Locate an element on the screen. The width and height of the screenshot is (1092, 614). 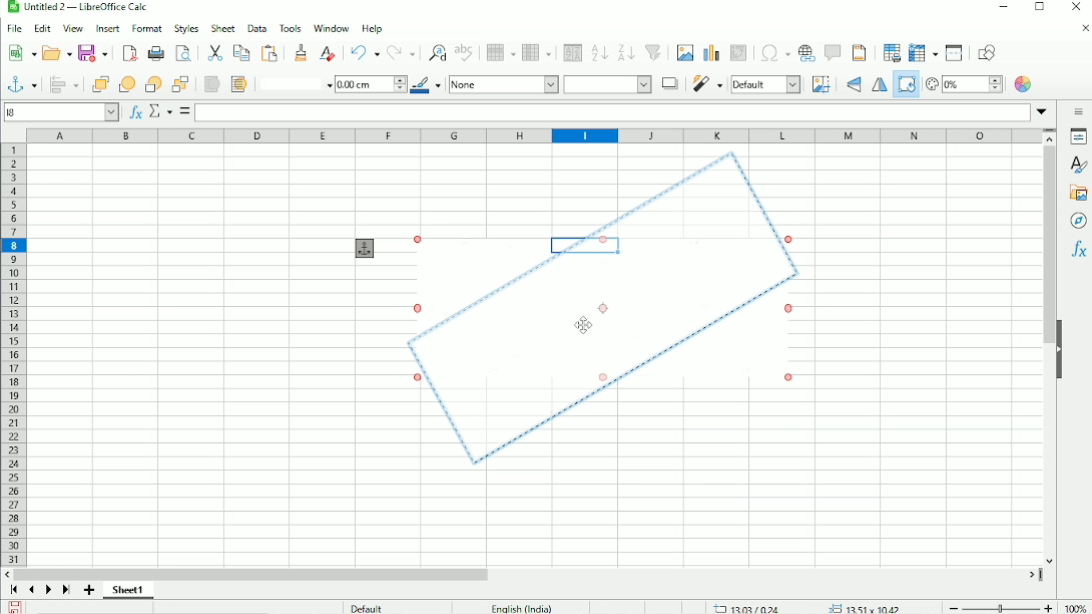
Close document is located at coordinates (1084, 29).